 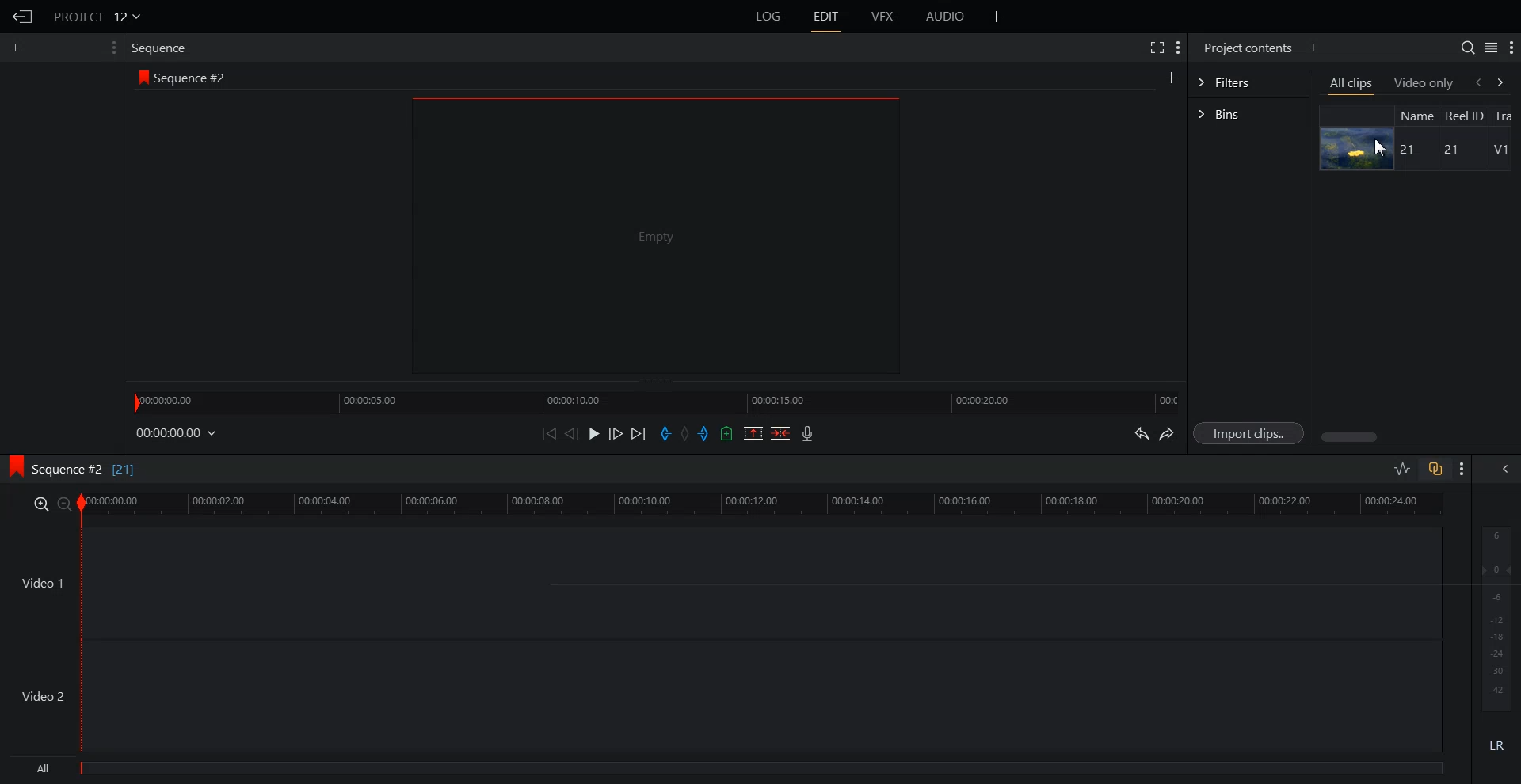 I want to click on Timeline, so click(x=655, y=401).